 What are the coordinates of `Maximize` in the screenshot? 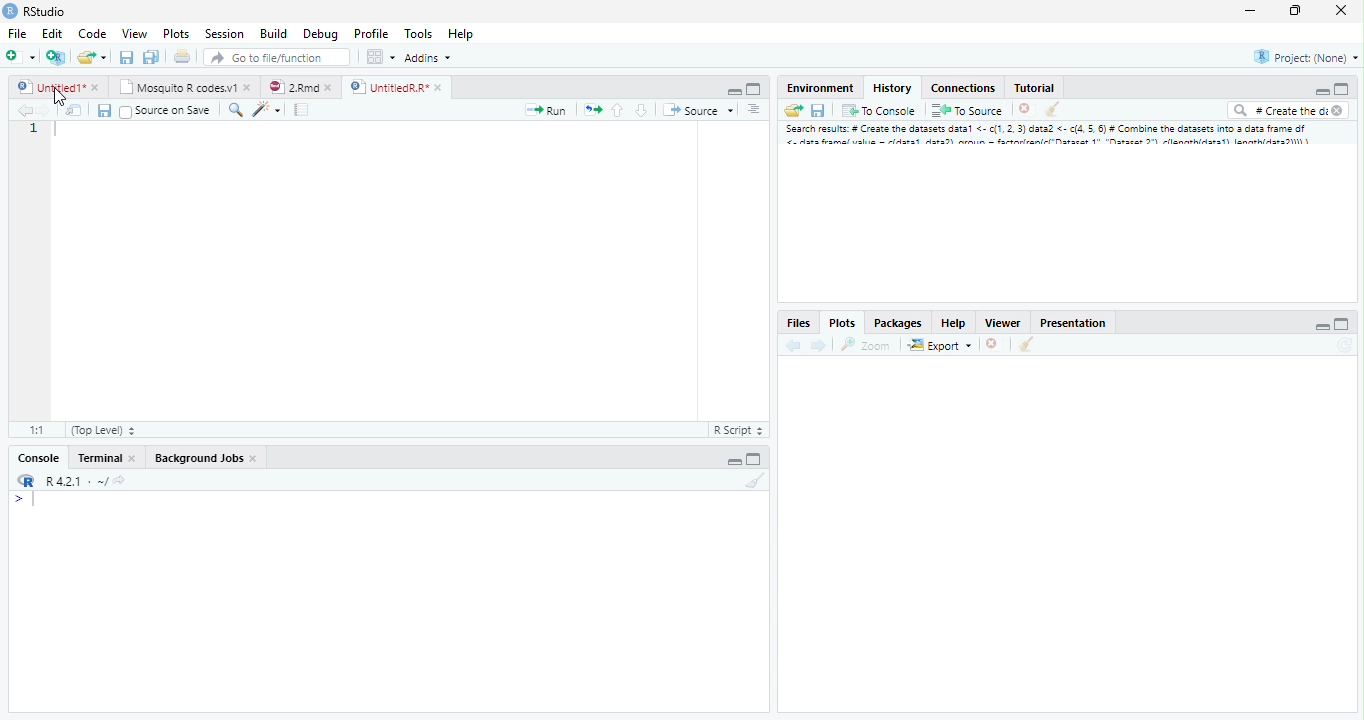 It's located at (1340, 90).